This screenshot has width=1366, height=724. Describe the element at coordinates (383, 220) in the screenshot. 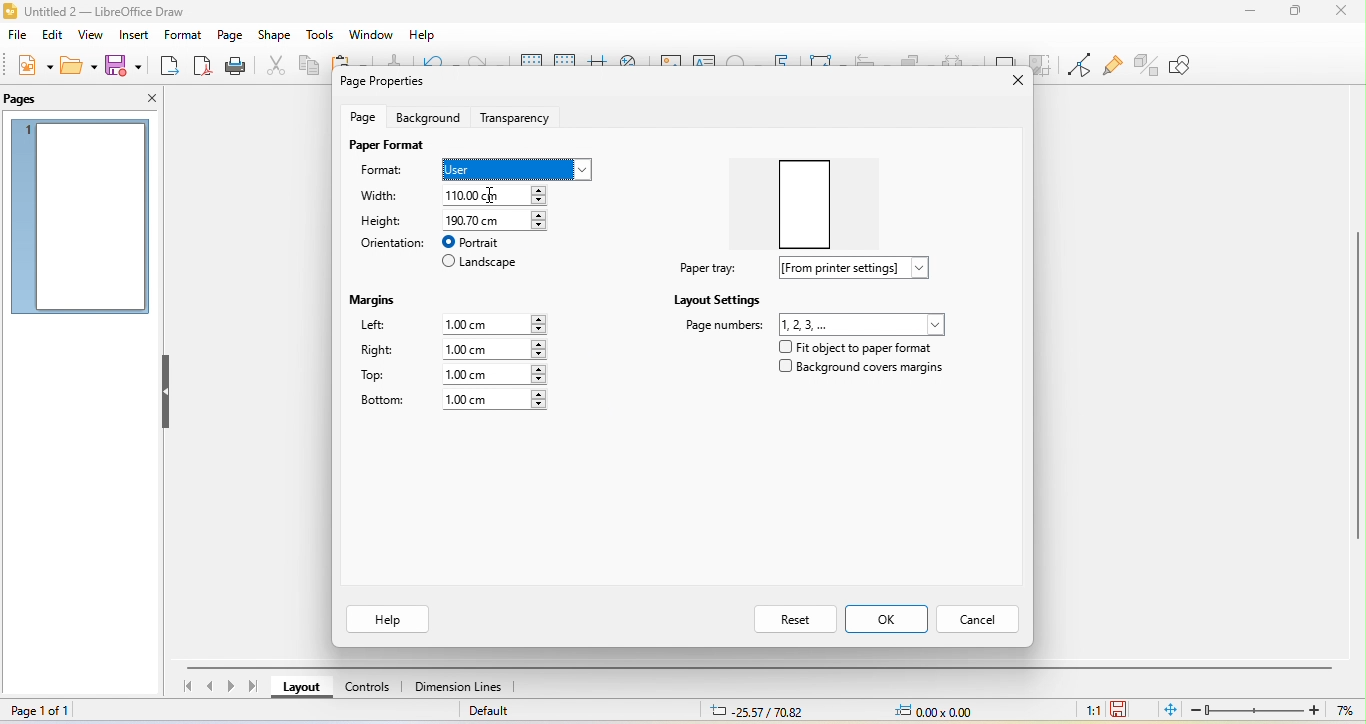

I see `height` at that location.